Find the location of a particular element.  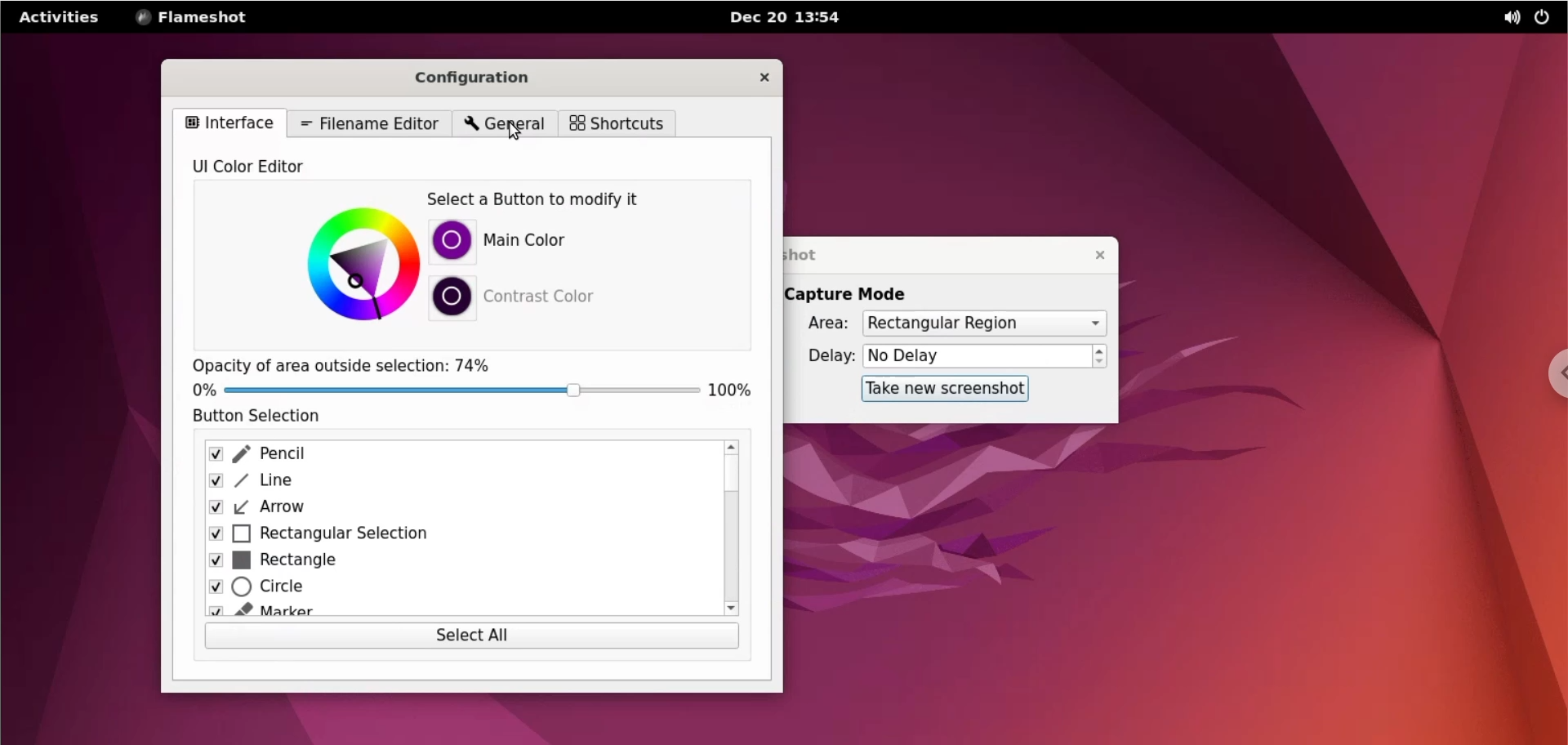

UI color editor  is located at coordinates (267, 164).